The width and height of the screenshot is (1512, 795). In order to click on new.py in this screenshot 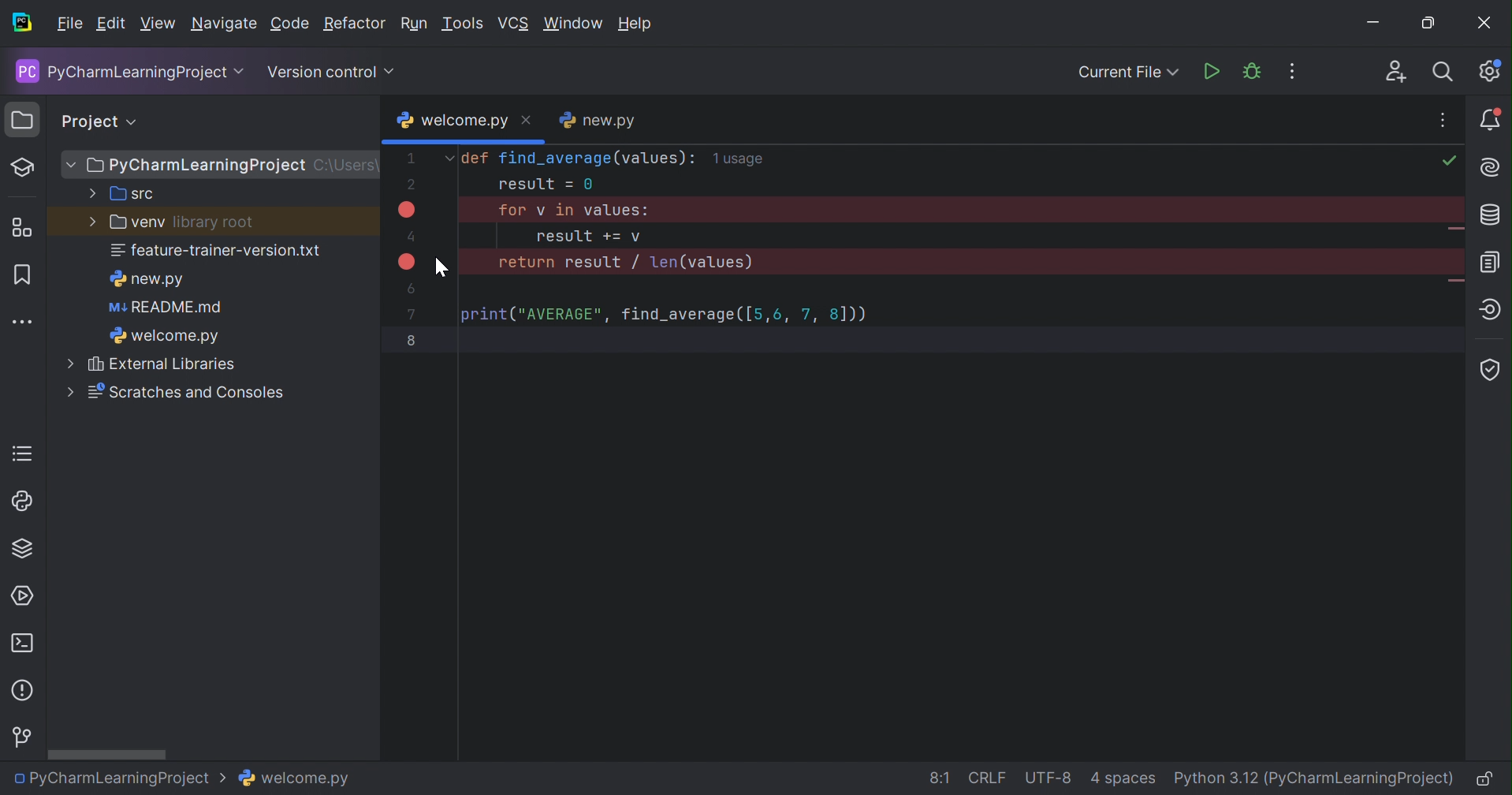, I will do `click(598, 120)`.